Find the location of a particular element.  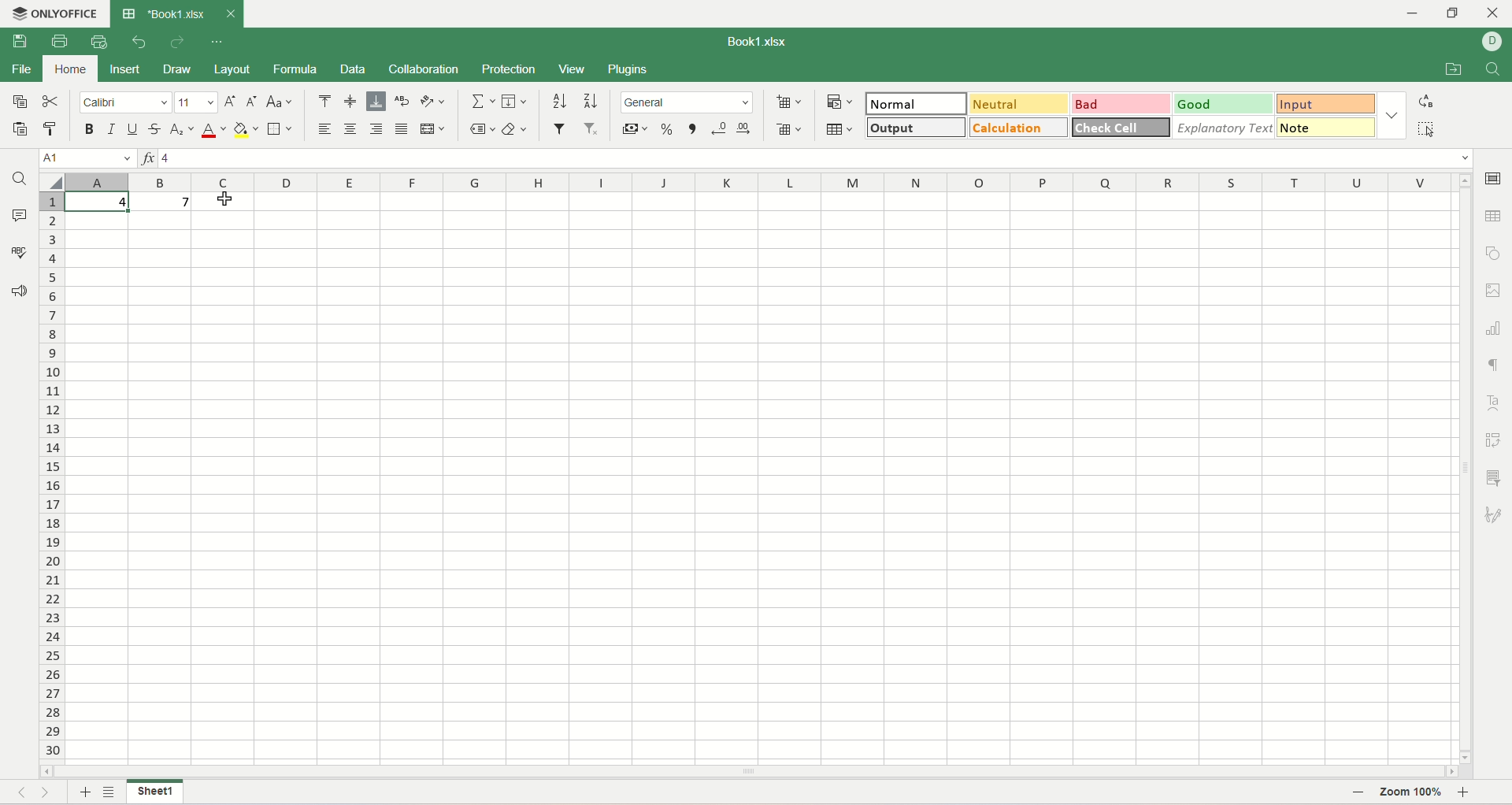

merge and center is located at coordinates (432, 129).